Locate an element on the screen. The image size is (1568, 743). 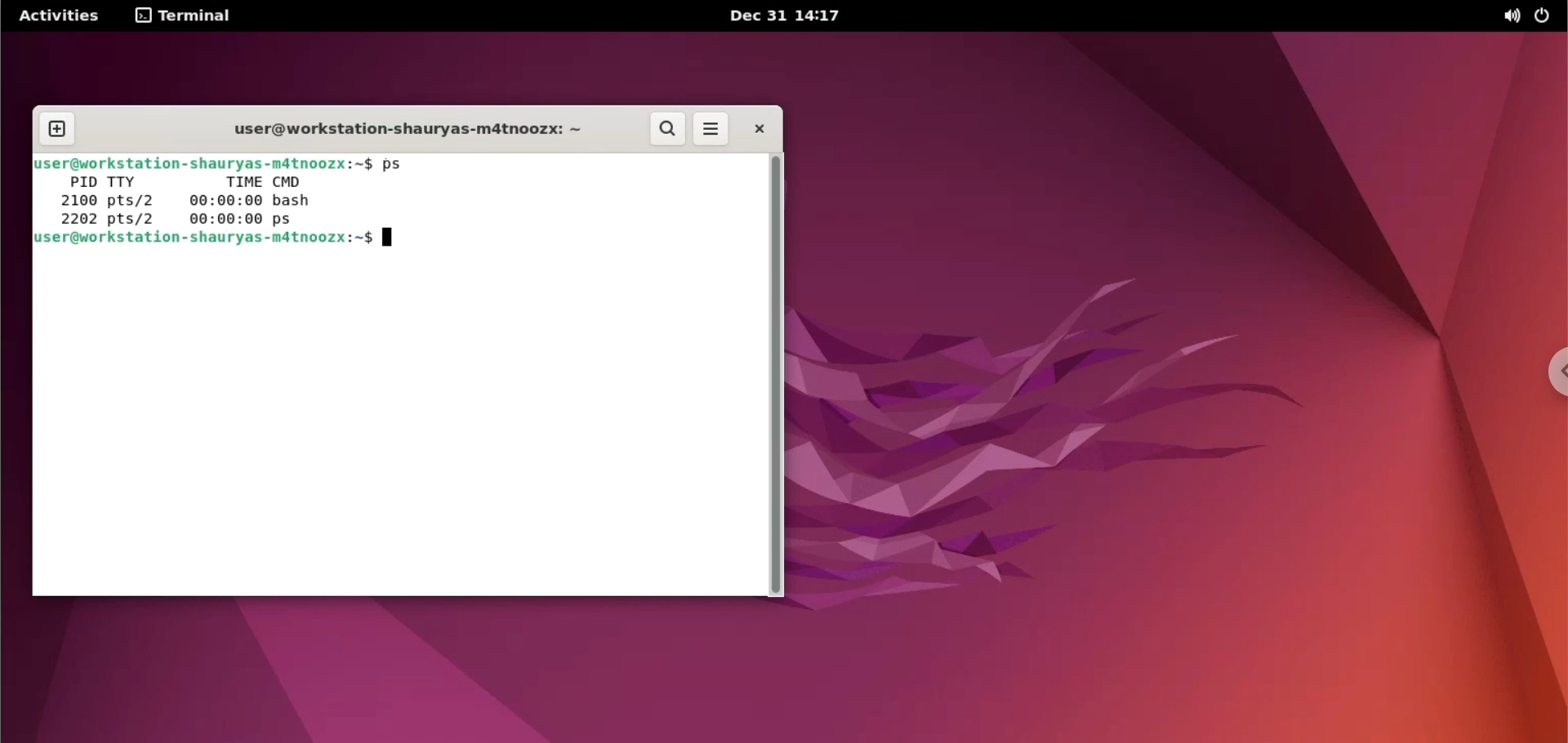
Dec 31 14:17 is located at coordinates (783, 19).